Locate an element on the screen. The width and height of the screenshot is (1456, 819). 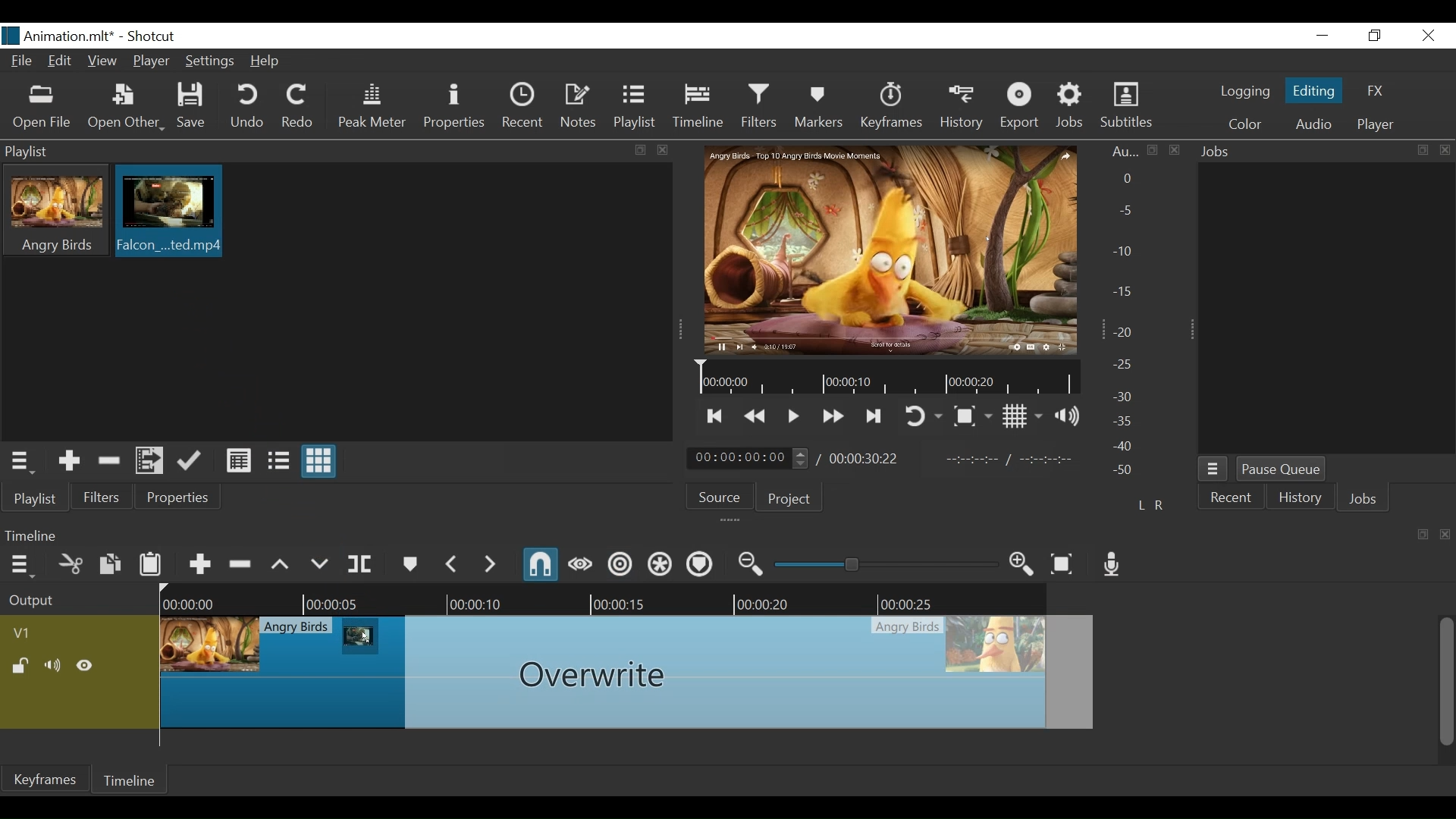
Skip to the previous point is located at coordinates (715, 418).